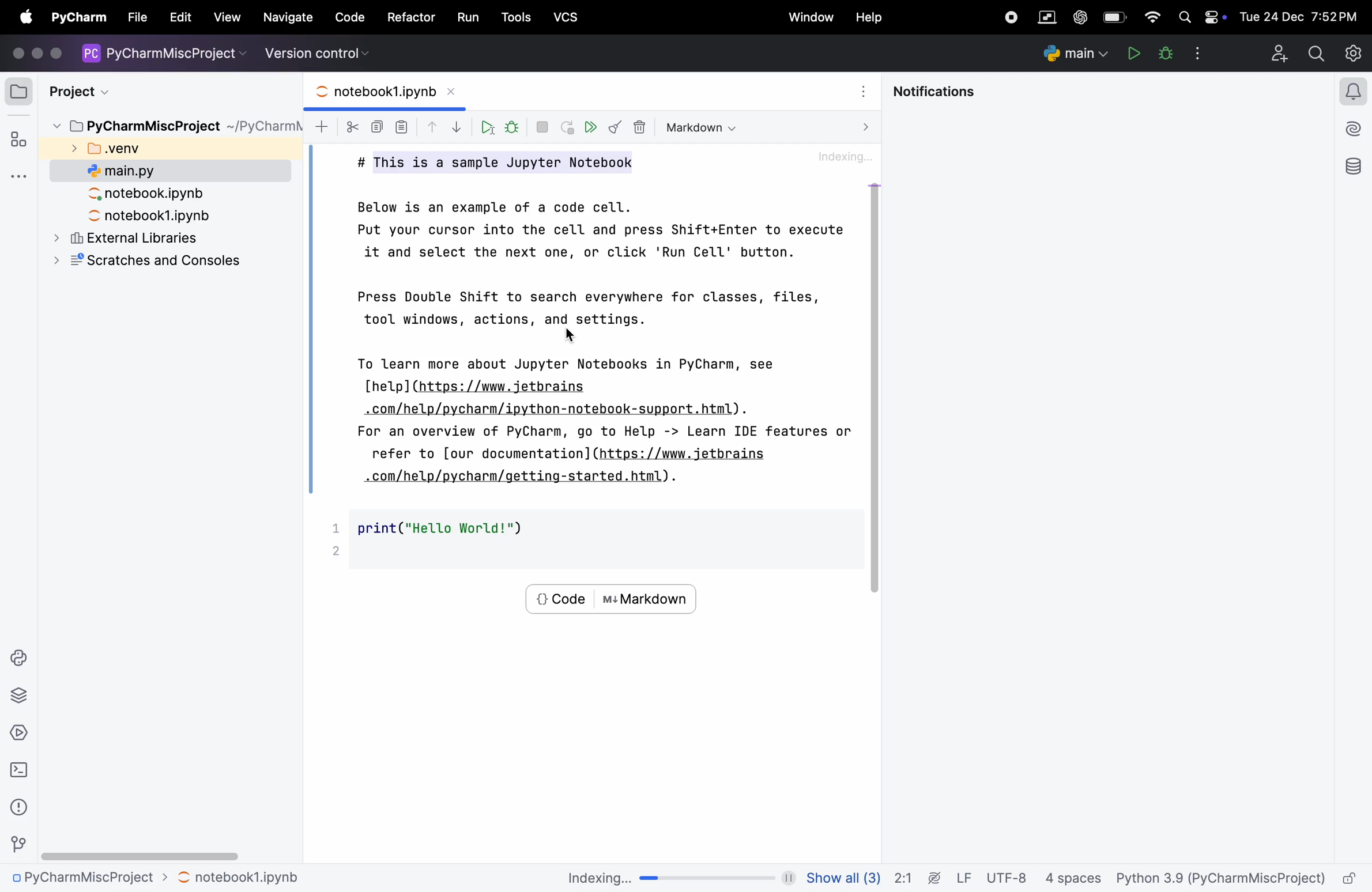  Describe the element at coordinates (22, 16) in the screenshot. I see `apple menu` at that location.